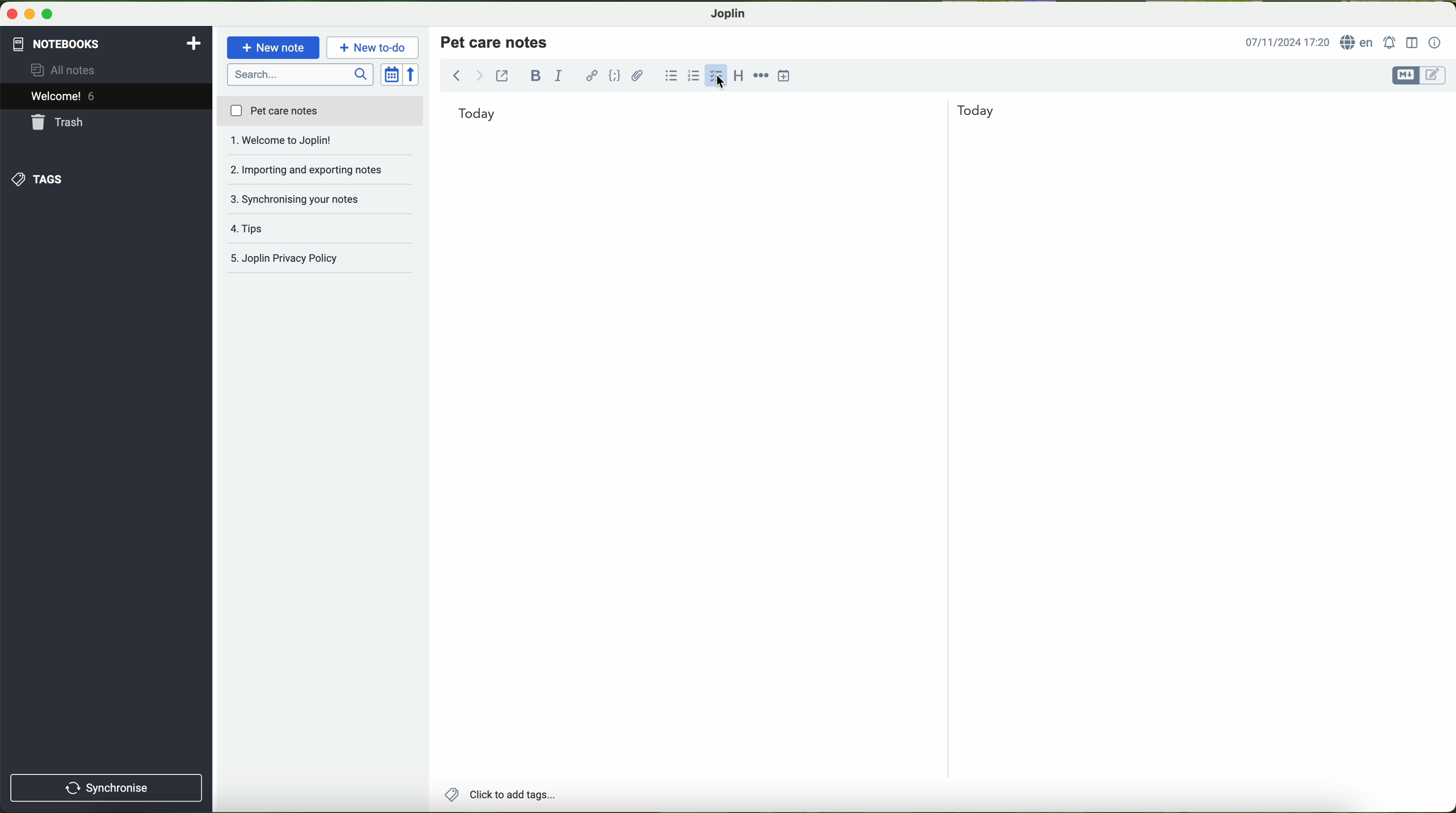 Image resolution: width=1456 pixels, height=813 pixels. I want to click on search bar, so click(302, 73).